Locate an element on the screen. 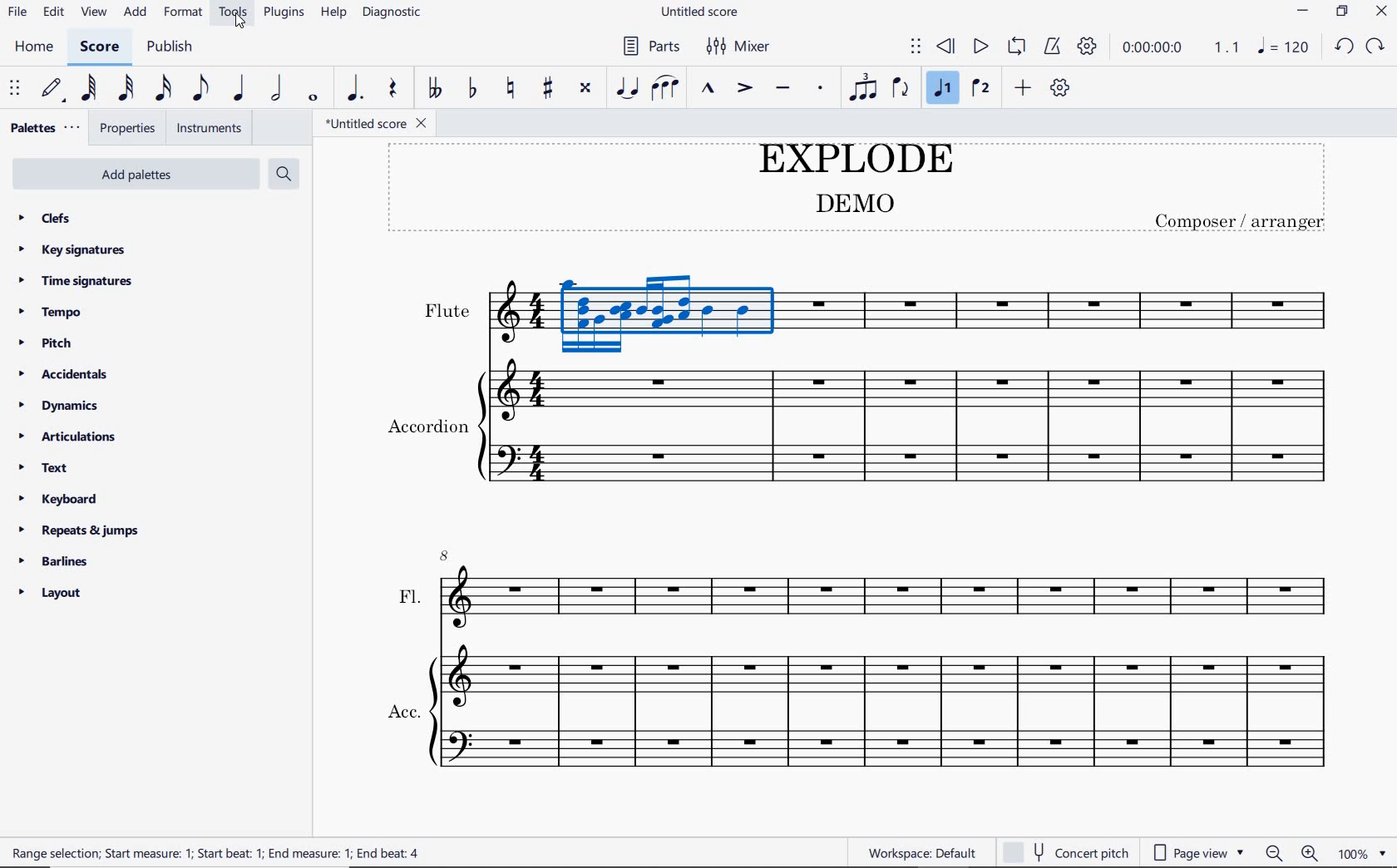  slur is located at coordinates (665, 88).